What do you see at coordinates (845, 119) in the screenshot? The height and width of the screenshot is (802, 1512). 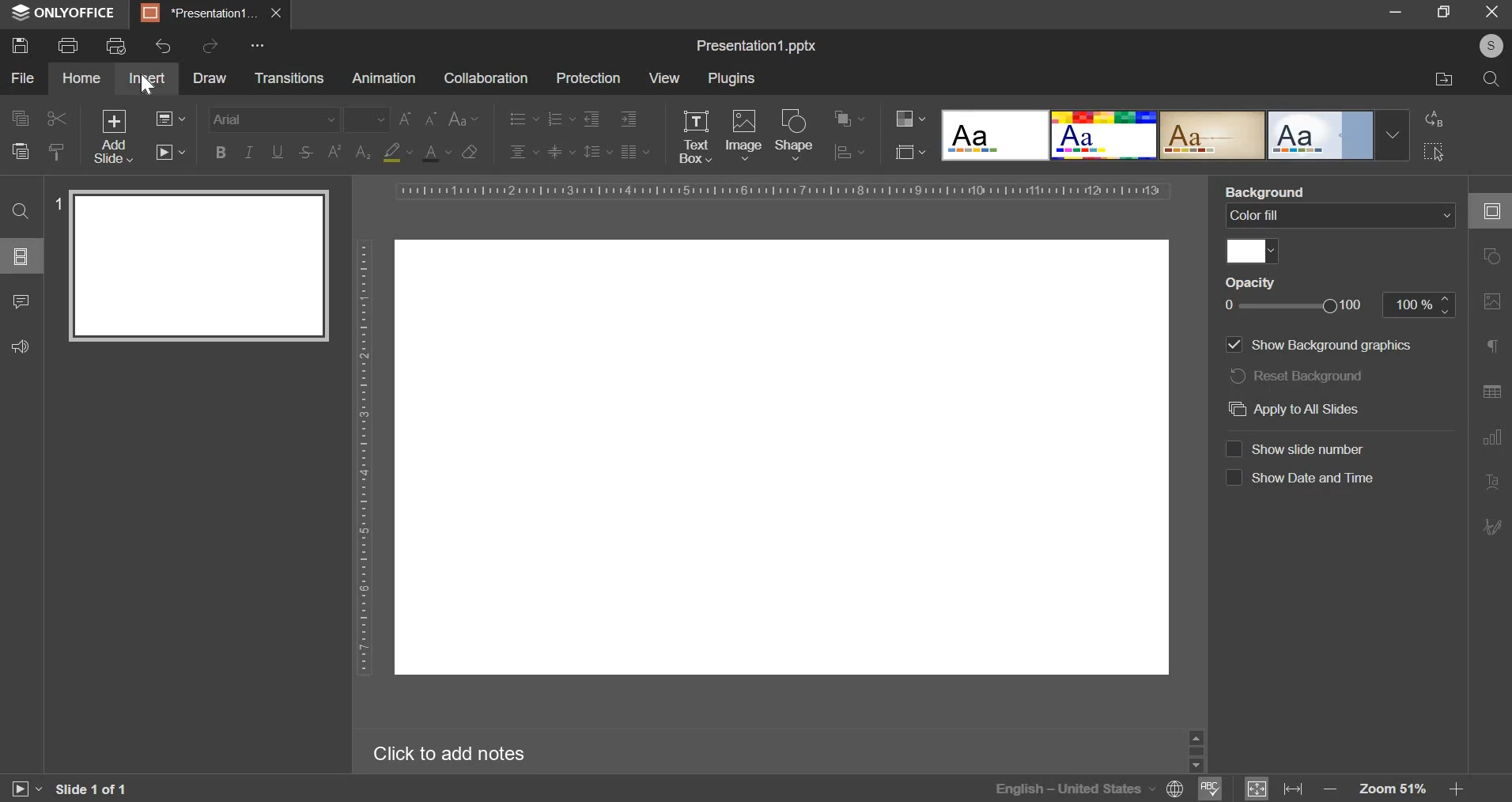 I see `arrange shape` at bounding box center [845, 119].